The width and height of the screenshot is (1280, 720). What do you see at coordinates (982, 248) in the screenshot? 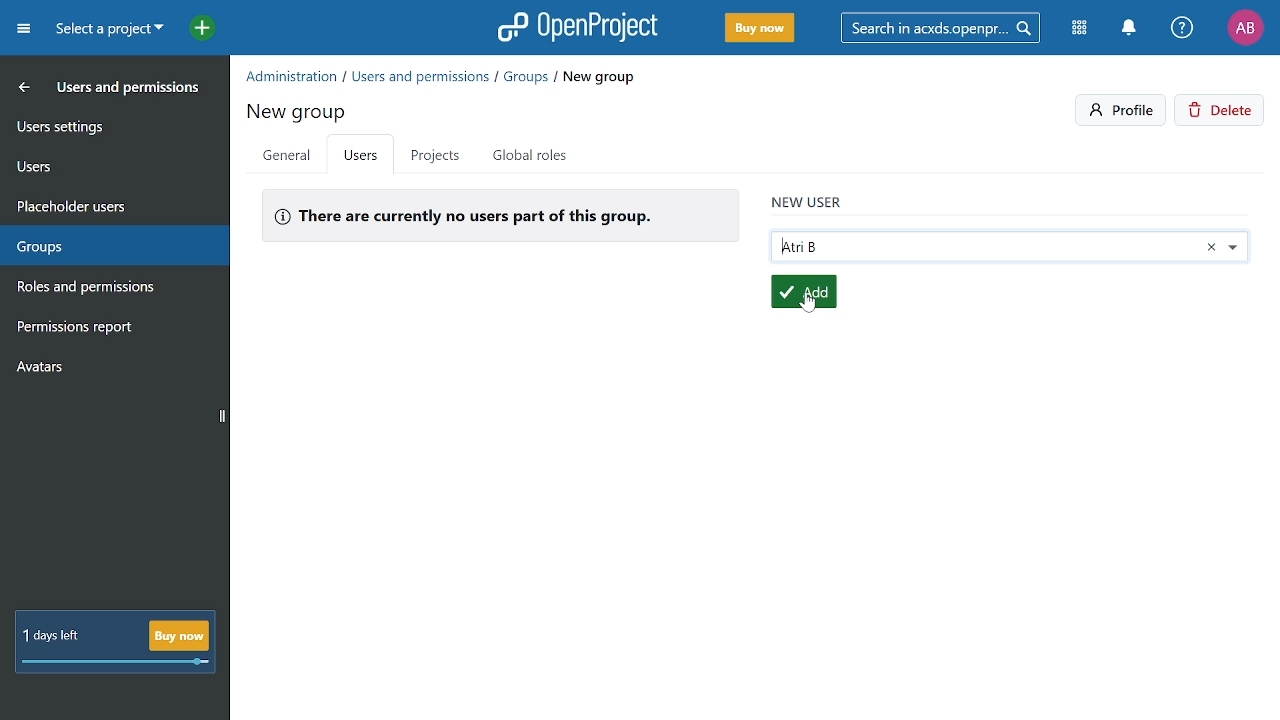
I see `Selected user` at bounding box center [982, 248].